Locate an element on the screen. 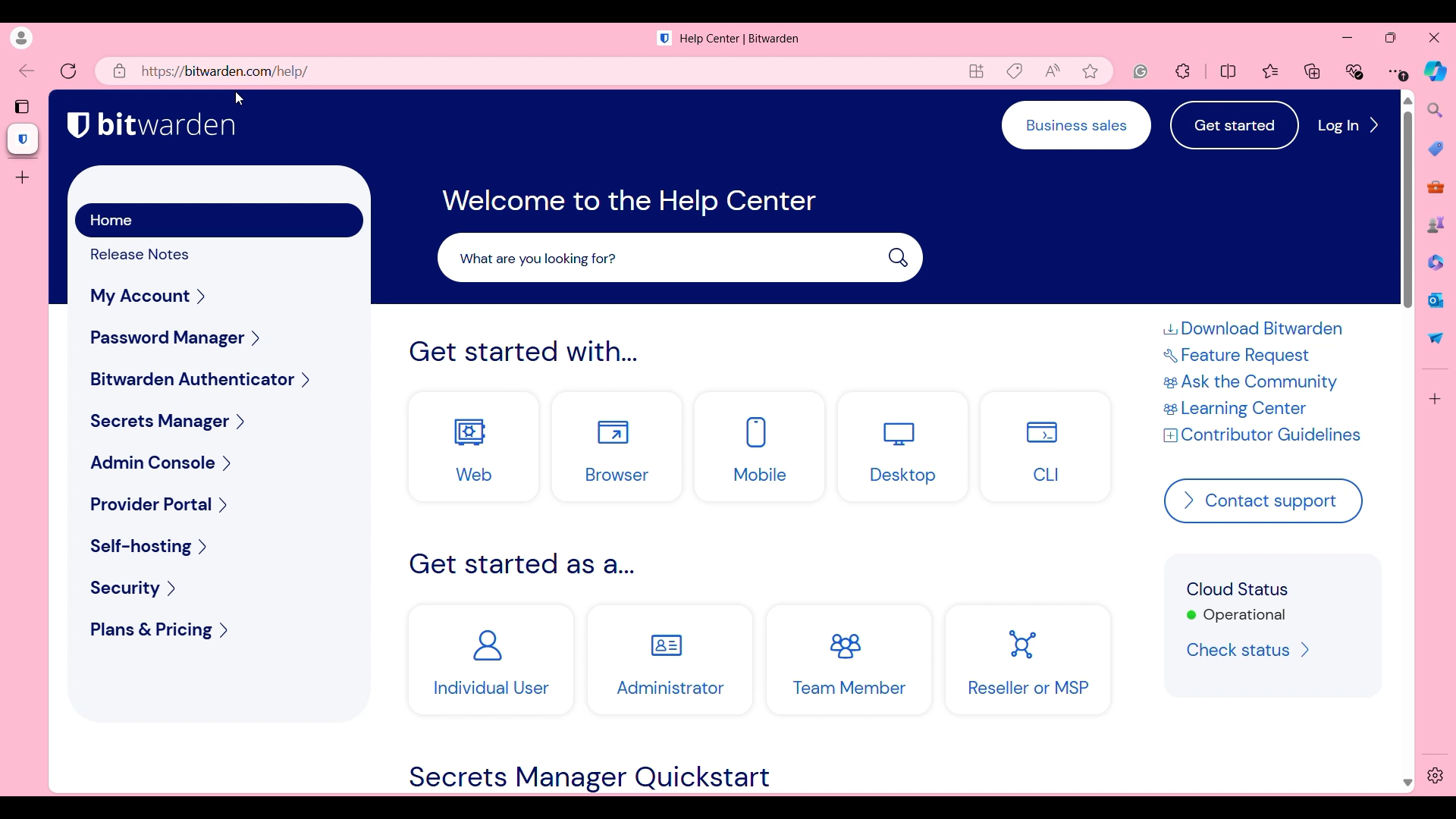  Messaging is located at coordinates (1437, 300).